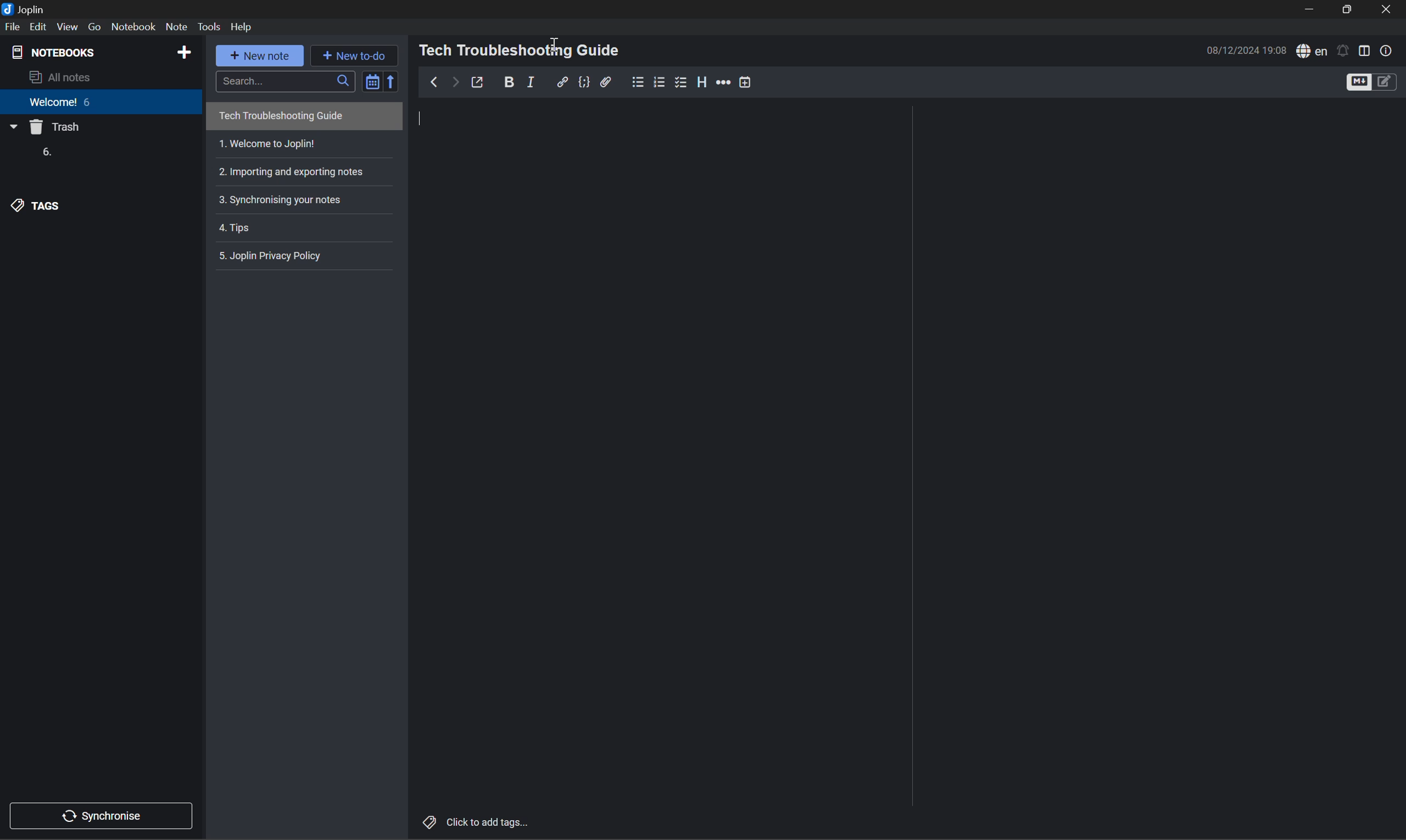 This screenshot has height=840, width=1406. What do you see at coordinates (680, 82) in the screenshot?
I see `Checkbox list` at bounding box center [680, 82].